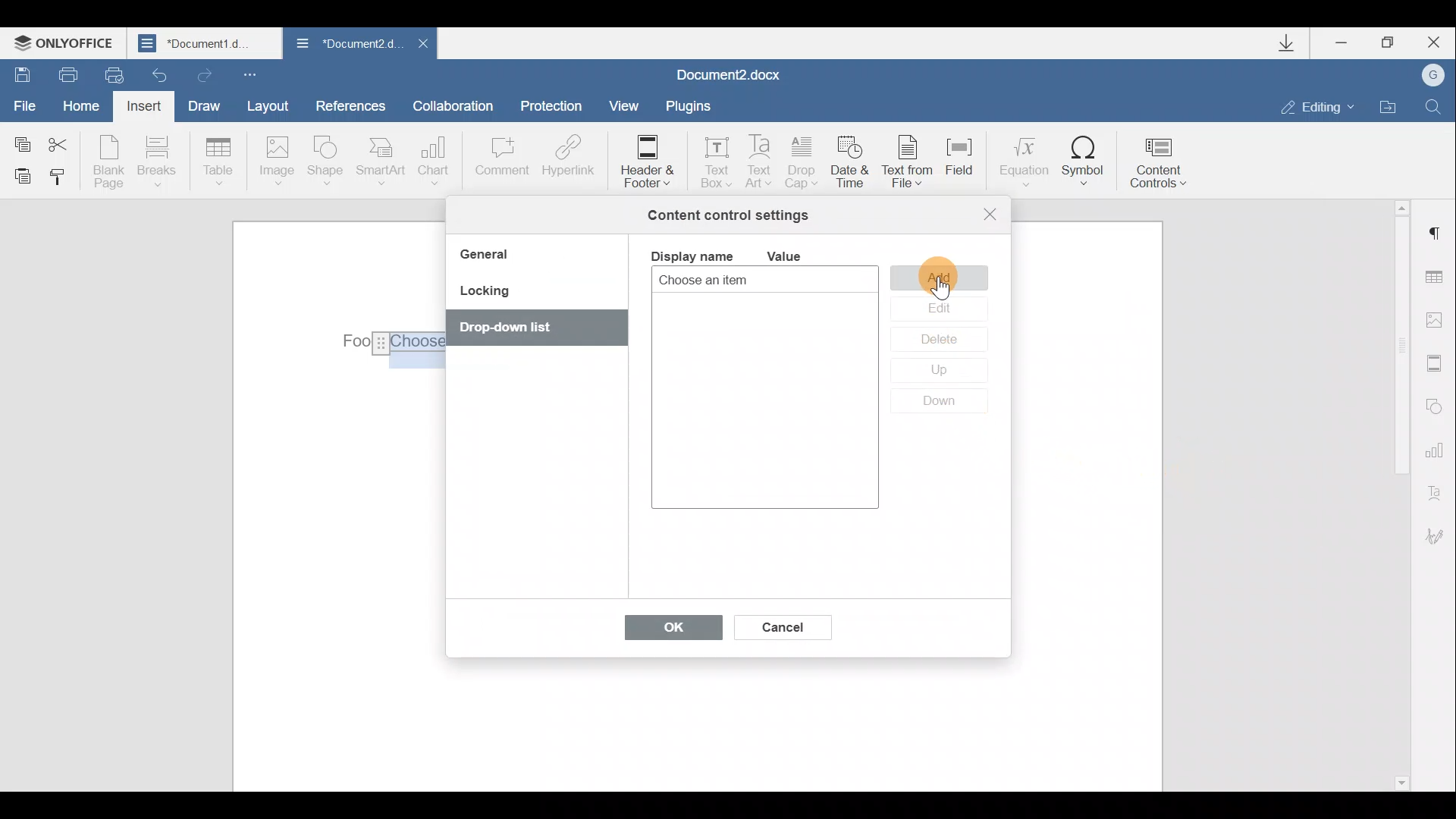 This screenshot has width=1456, height=819. I want to click on Maximize, so click(1389, 43).